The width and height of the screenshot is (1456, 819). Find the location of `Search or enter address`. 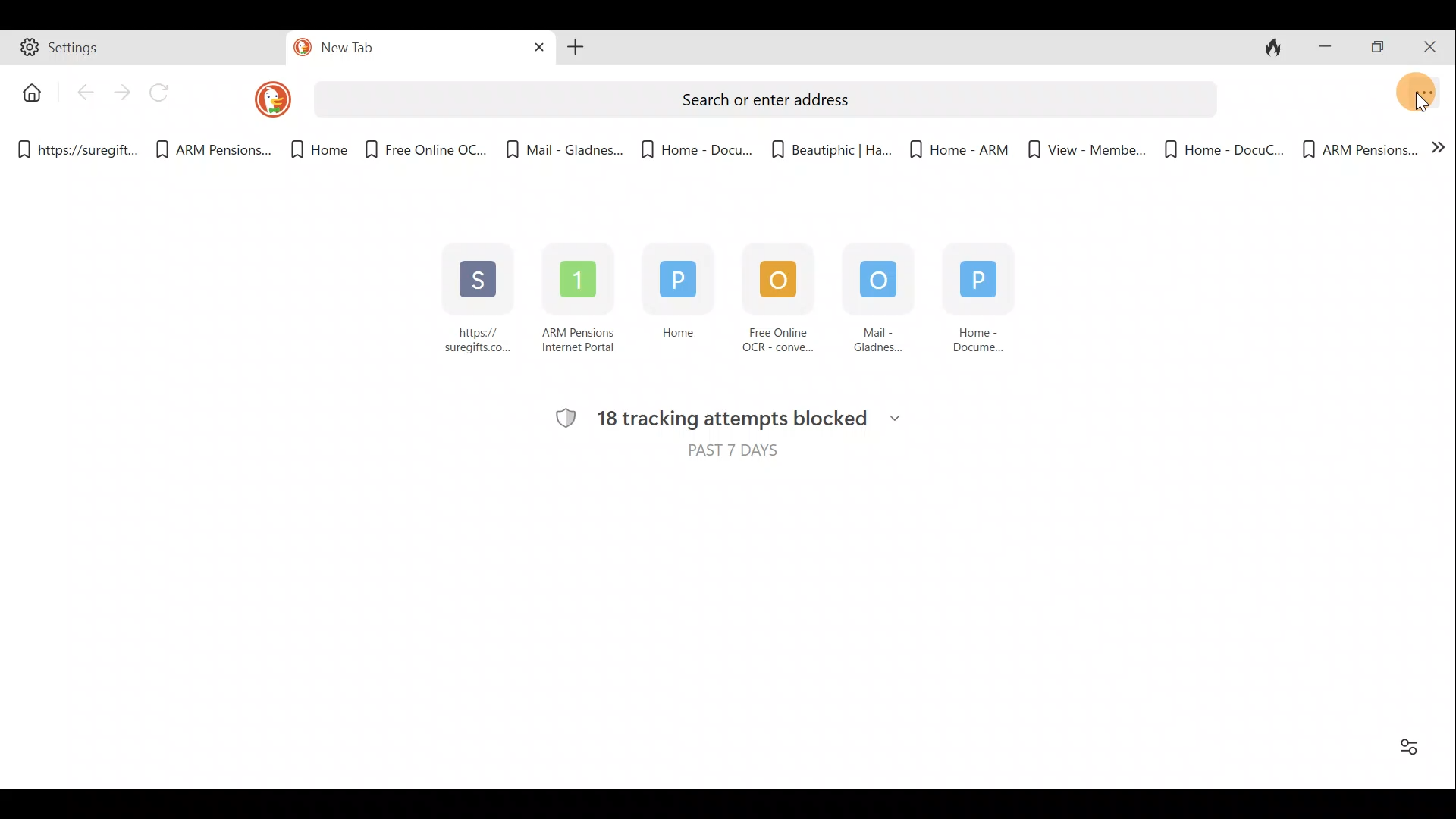

Search or enter address is located at coordinates (763, 97).